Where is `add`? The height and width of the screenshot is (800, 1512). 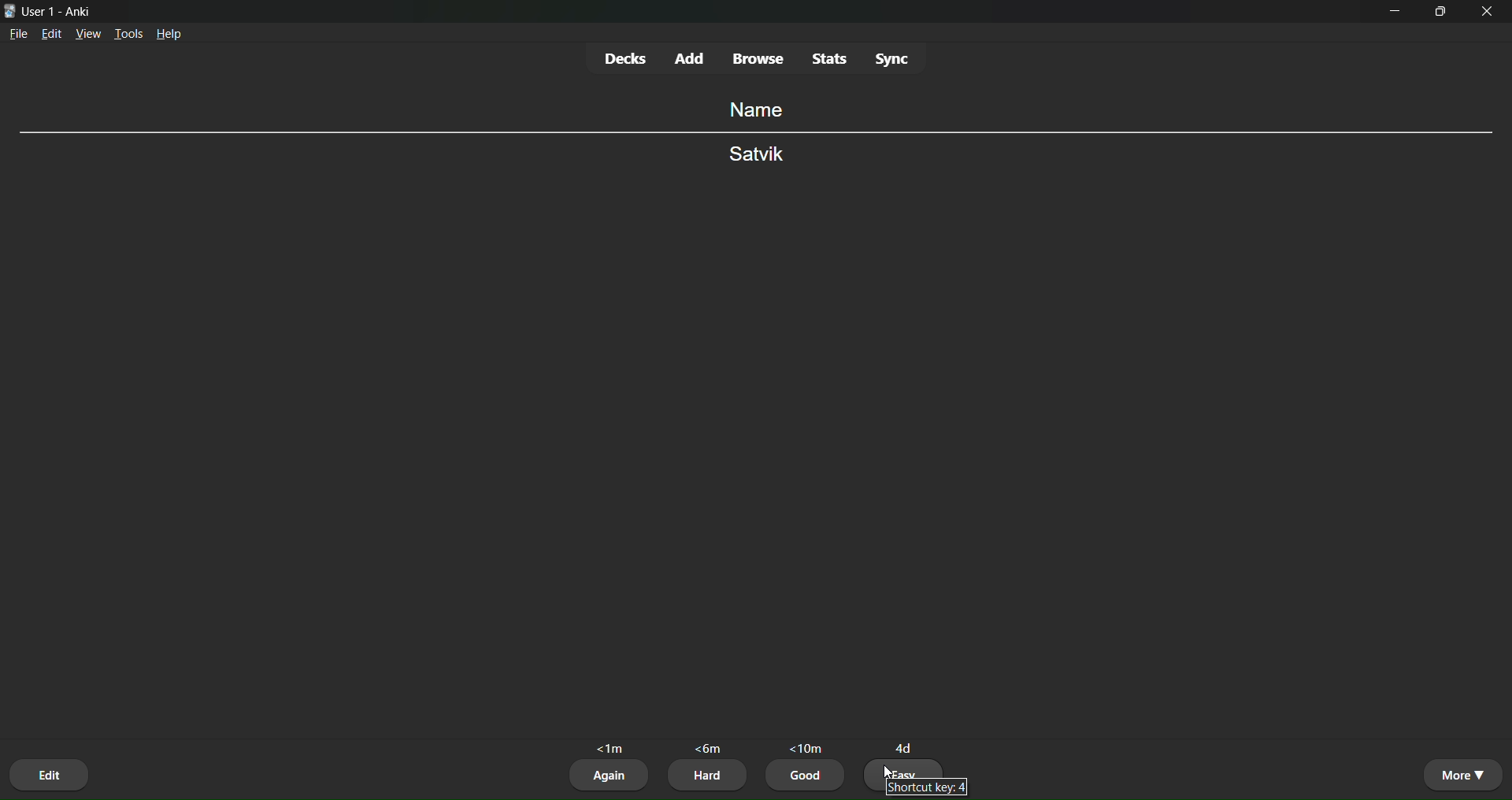
add is located at coordinates (691, 56).